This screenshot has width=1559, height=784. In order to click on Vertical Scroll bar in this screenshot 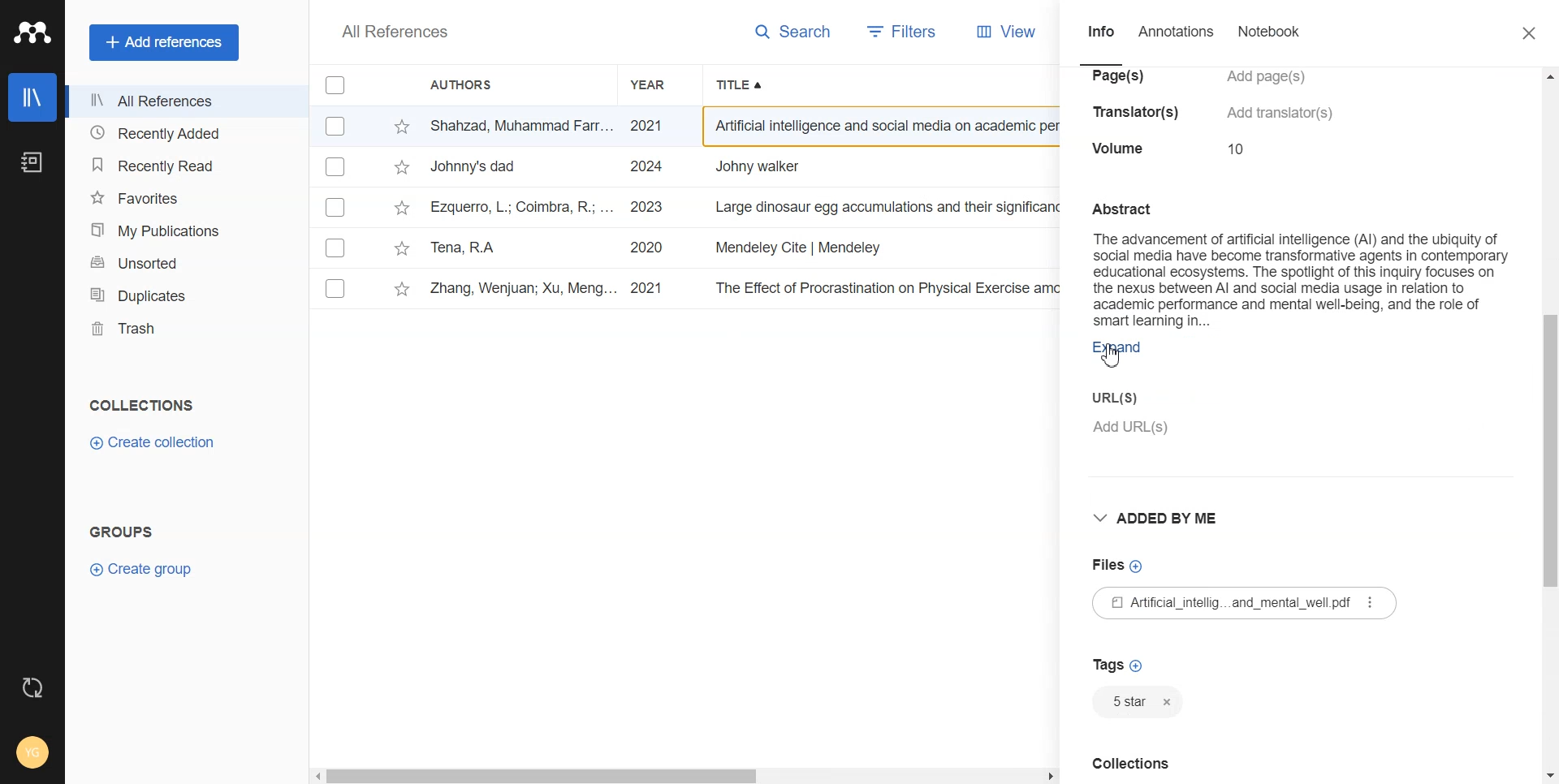, I will do `click(1549, 425)`.